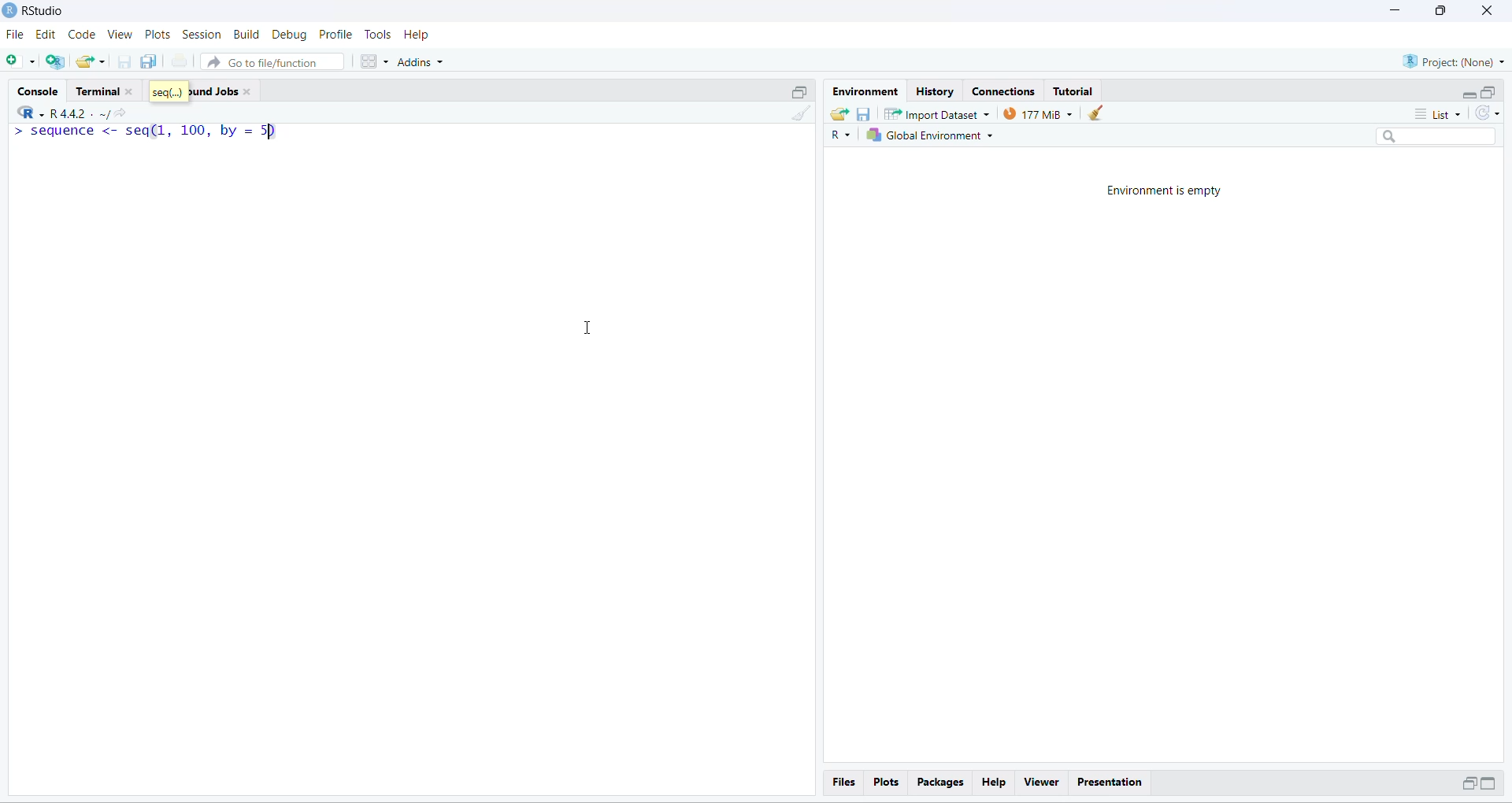 The width and height of the screenshot is (1512, 803). I want to click on import datasets, so click(938, 113).